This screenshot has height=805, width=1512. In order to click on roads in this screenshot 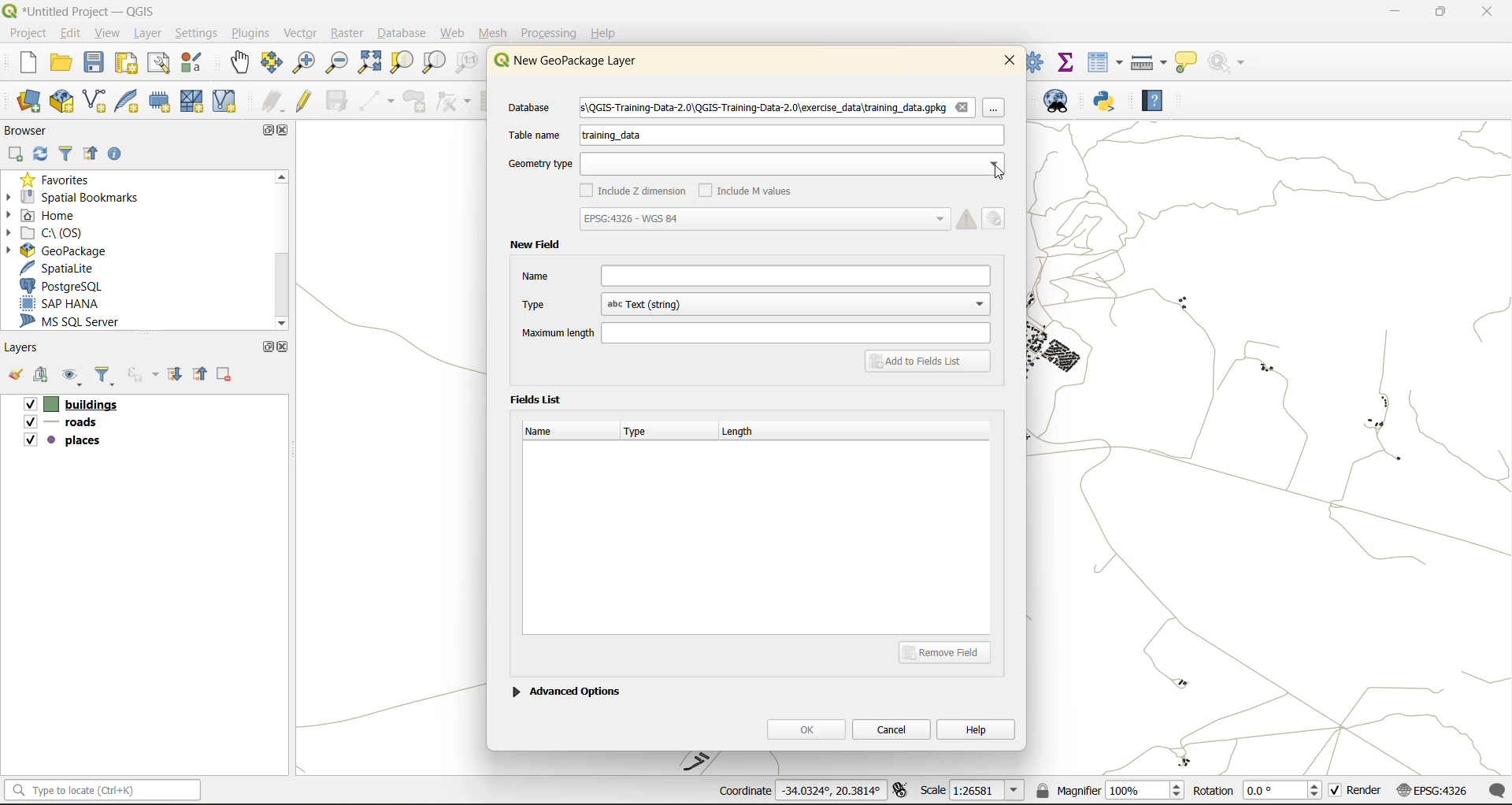, I will do `click(64, 425)`.